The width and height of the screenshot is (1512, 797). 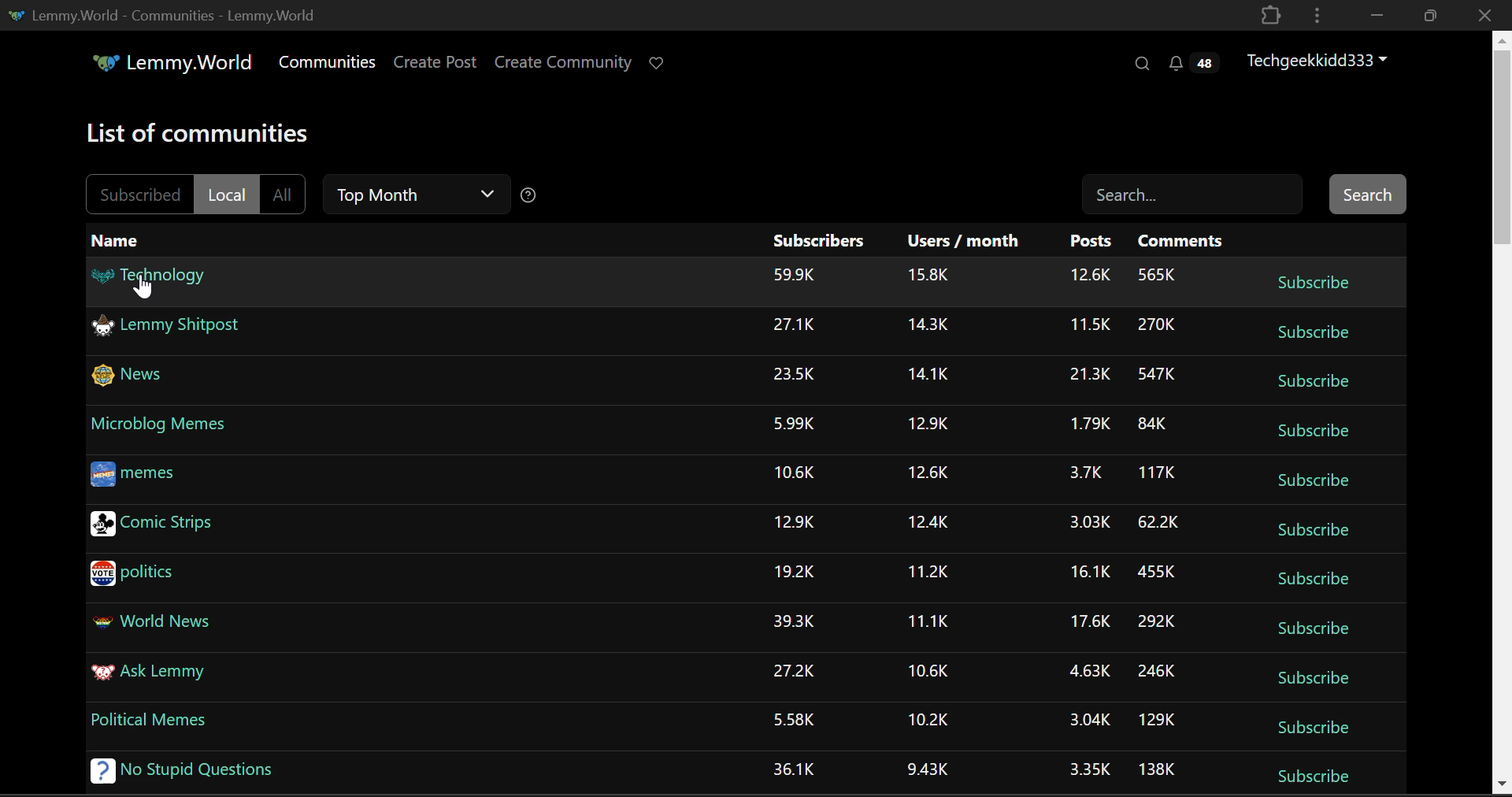 What do you see at coordinates (932, 522) in the screenshot?
I see `Amount` at bounding box center [932, 522].